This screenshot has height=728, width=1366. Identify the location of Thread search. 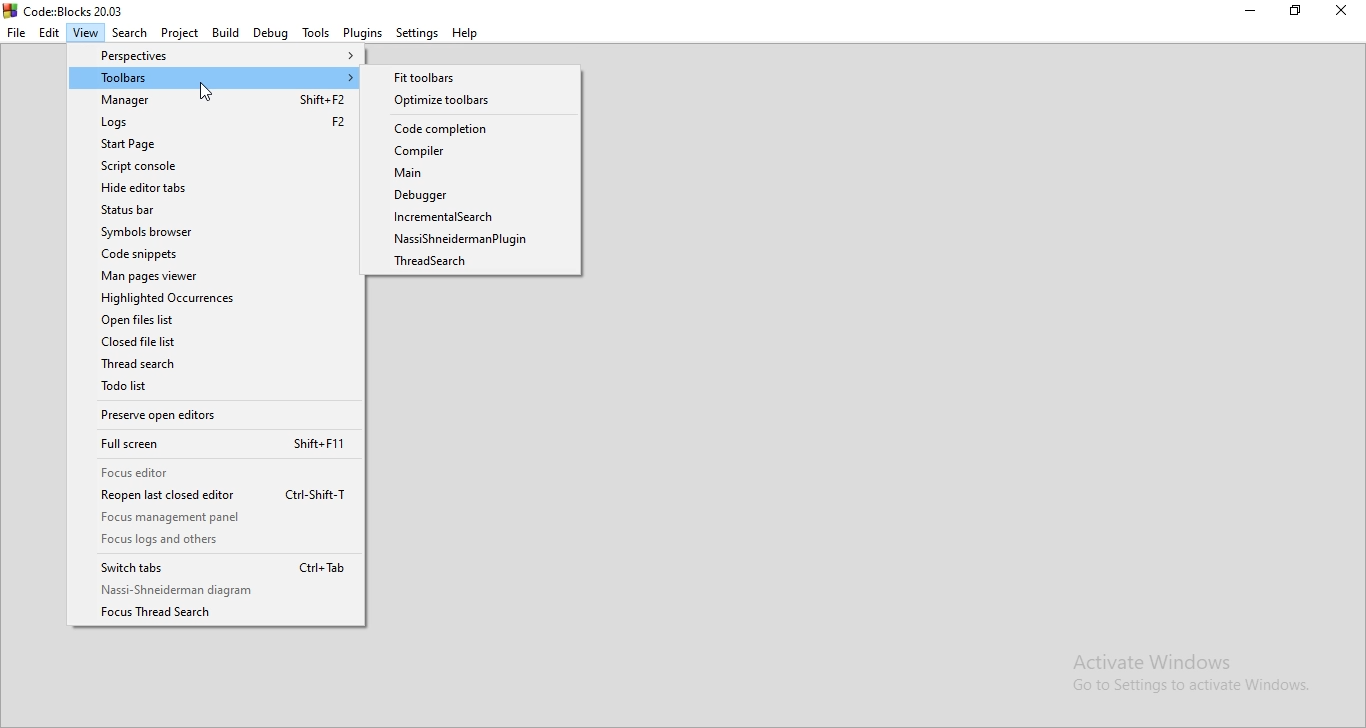
(476, 264).